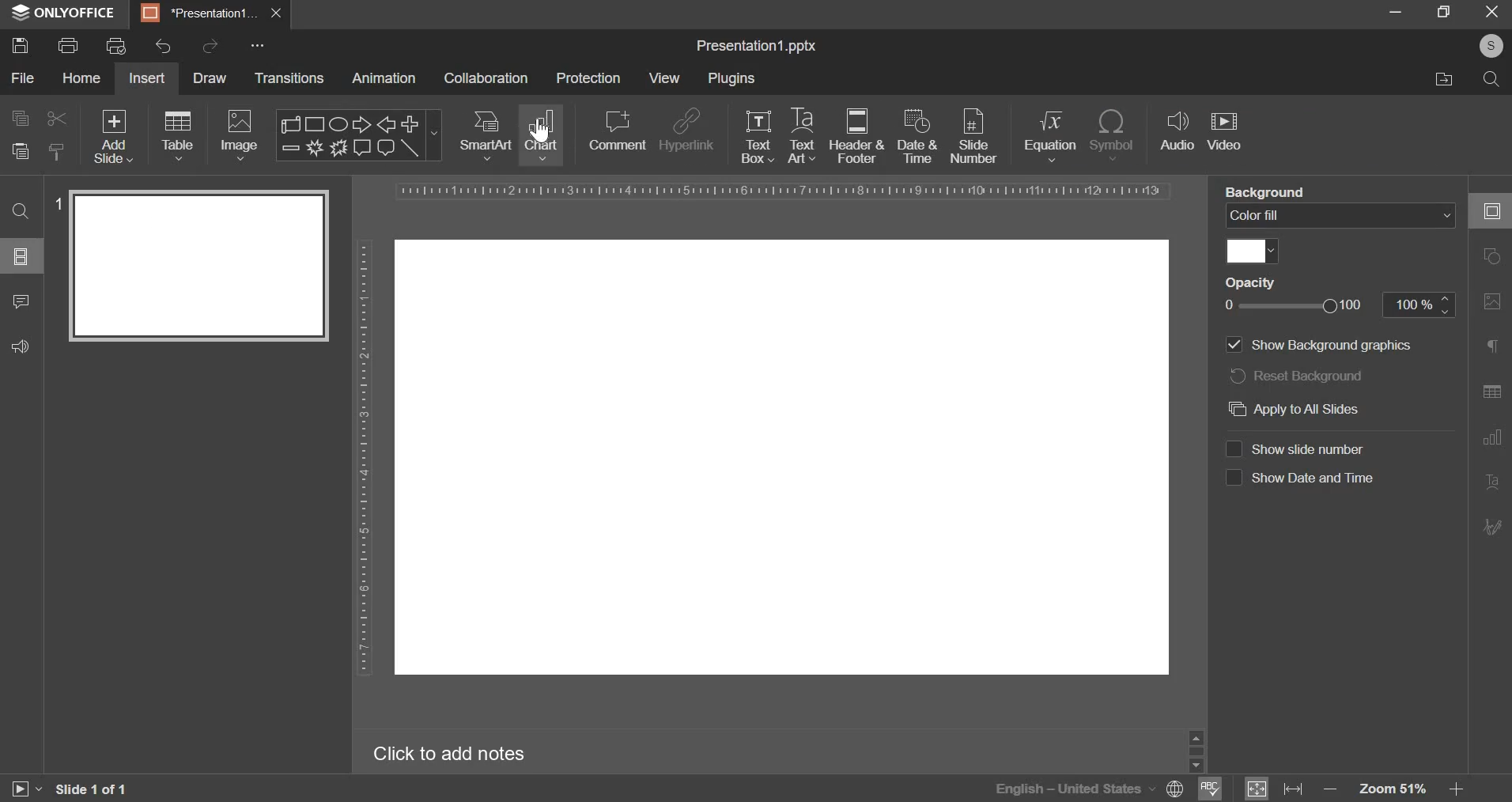 This screenshot has height=802, width=1512. I want to click on image settings, so click(1491, 305).